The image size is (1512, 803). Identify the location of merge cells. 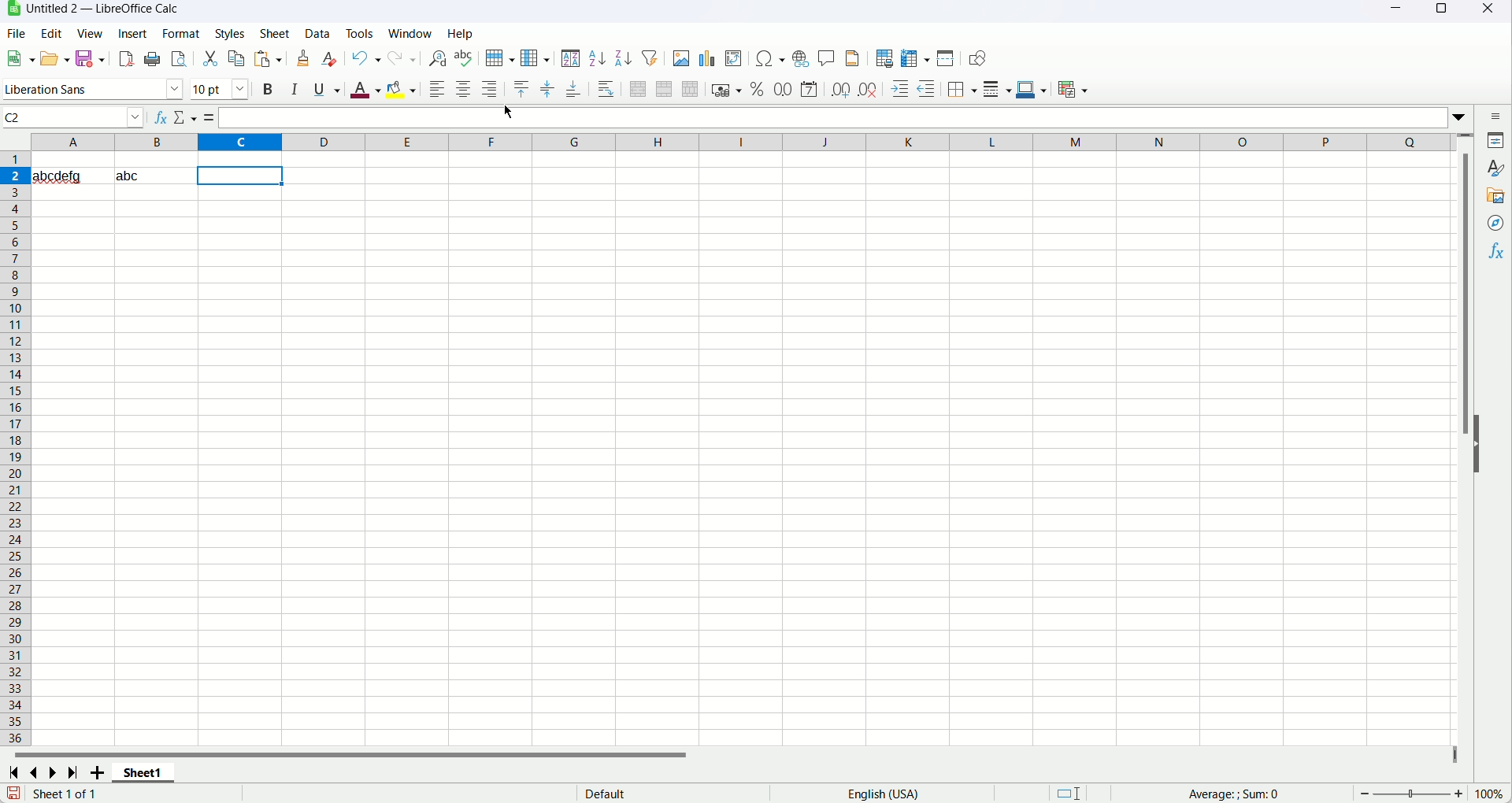
(664, 91).